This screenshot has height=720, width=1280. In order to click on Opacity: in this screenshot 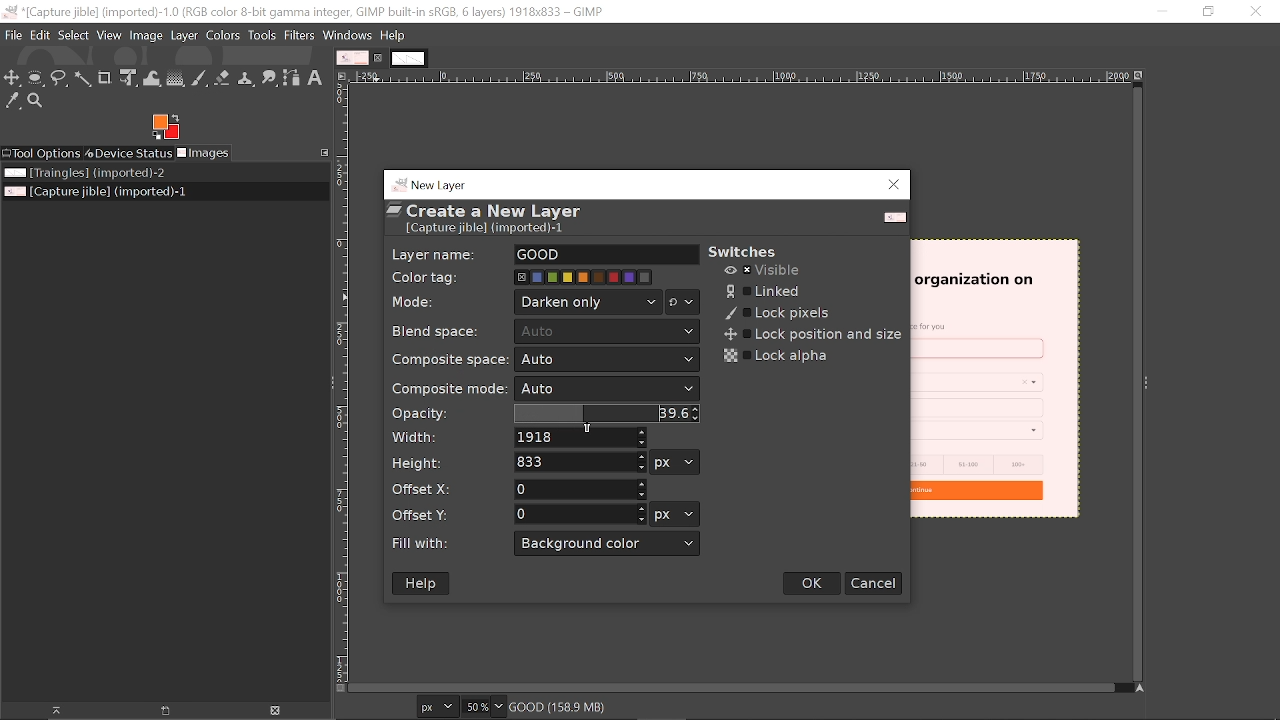, I will do `click(421, 414)`.